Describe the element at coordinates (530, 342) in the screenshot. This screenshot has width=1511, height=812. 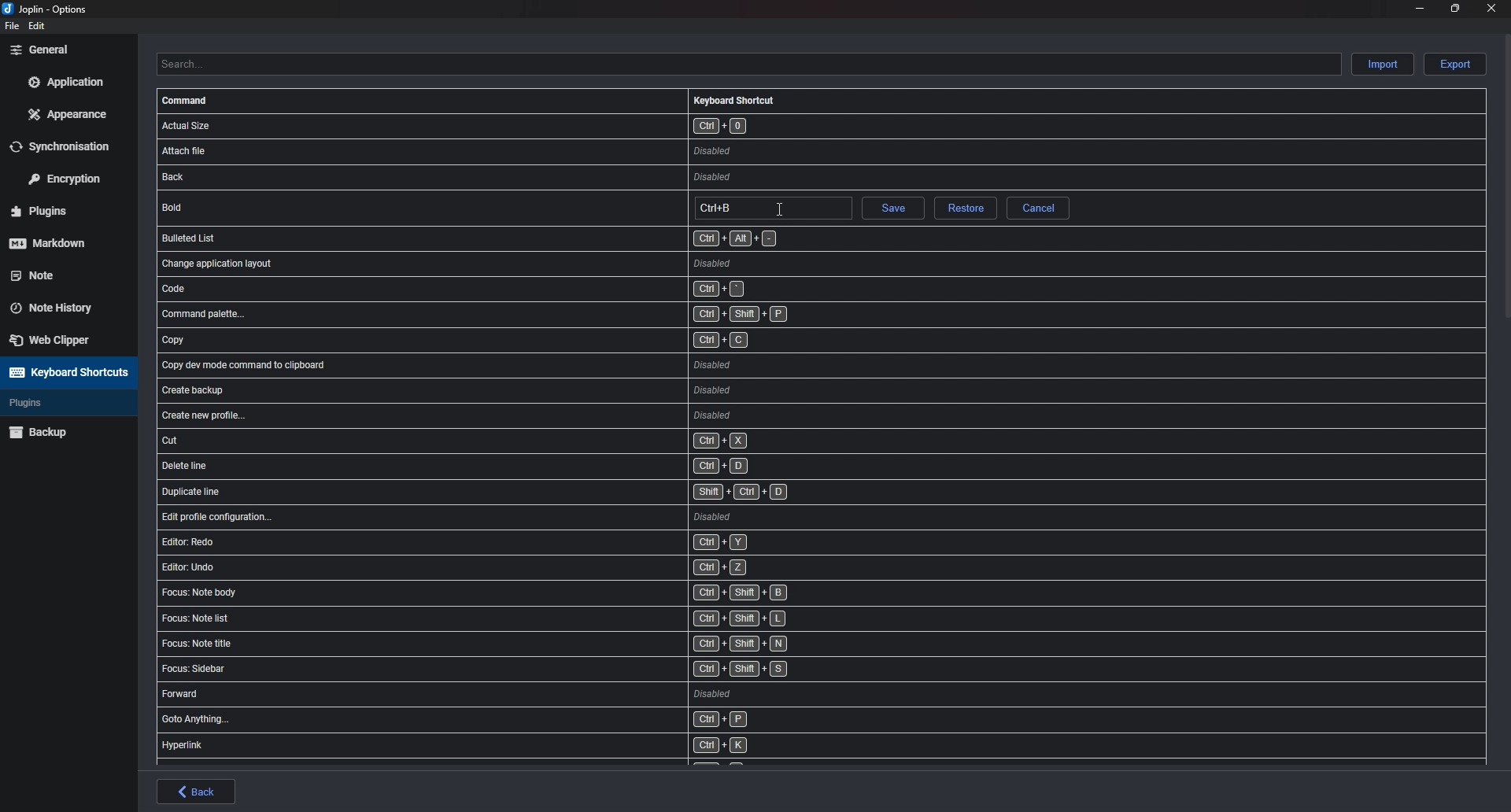
I see `shortcut` at that location.